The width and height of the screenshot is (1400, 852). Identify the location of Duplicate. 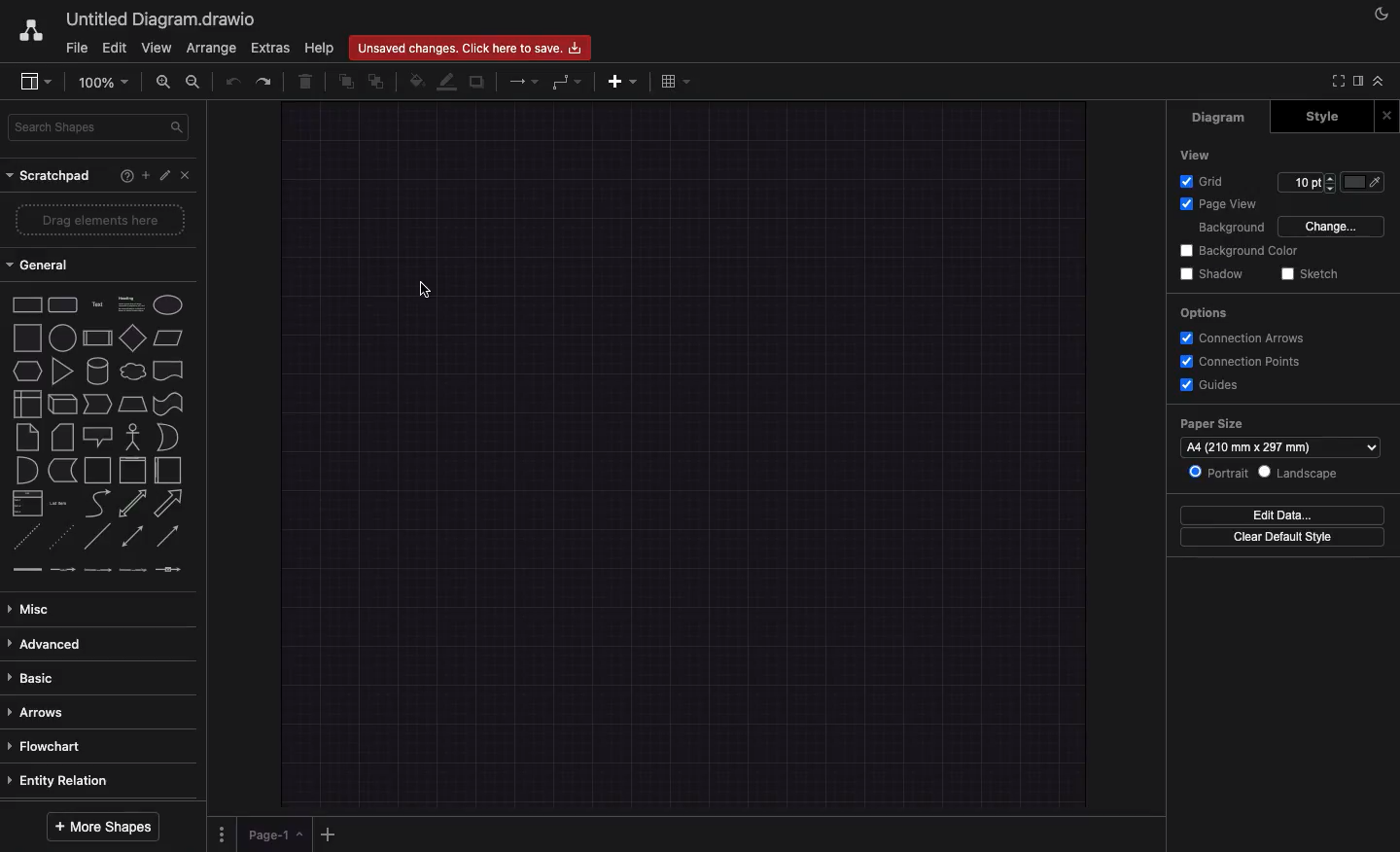
(476, 82).